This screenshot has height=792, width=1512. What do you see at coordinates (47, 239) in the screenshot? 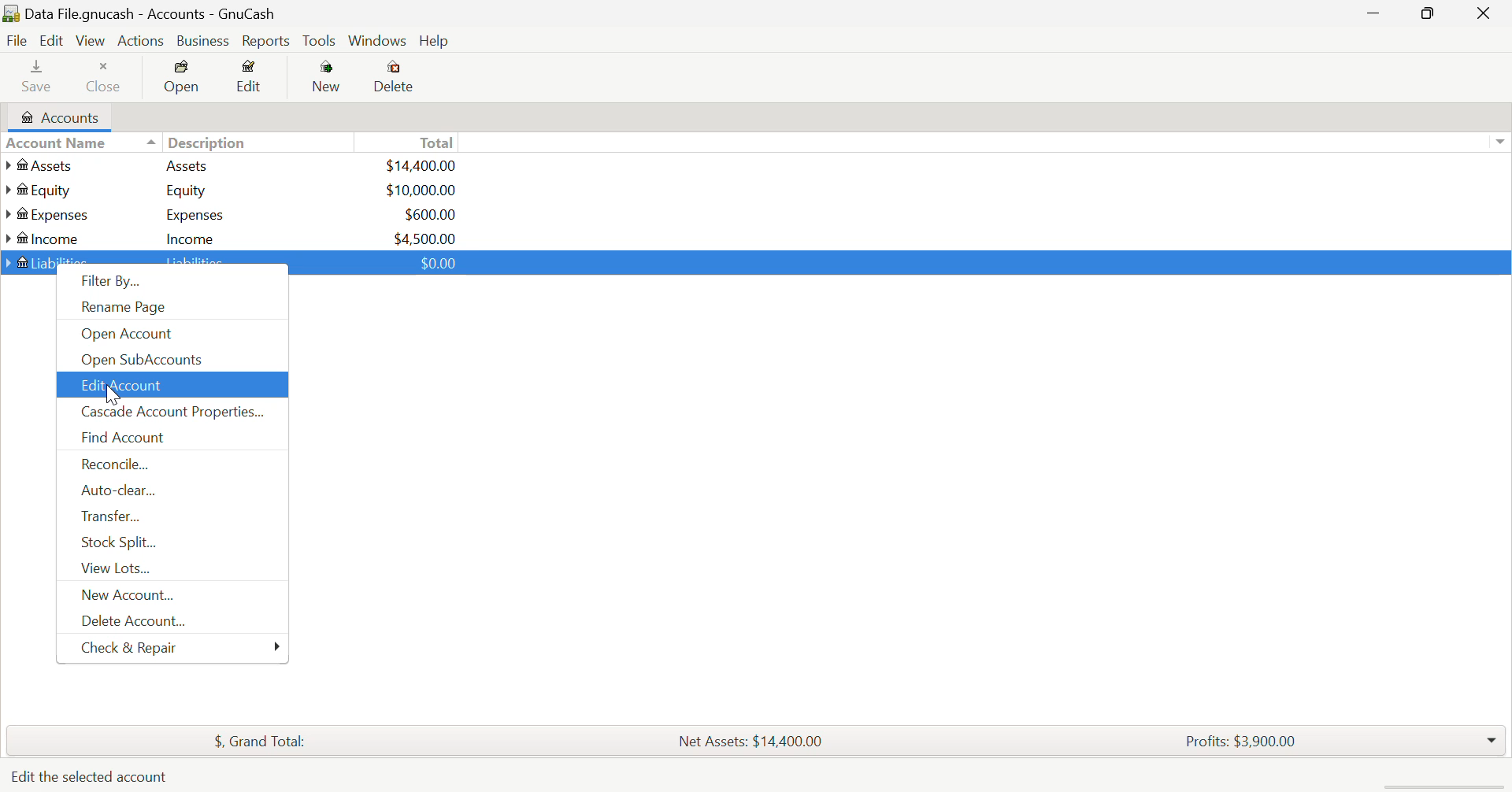
I see `Income Account` at bounding box center [47, 239].